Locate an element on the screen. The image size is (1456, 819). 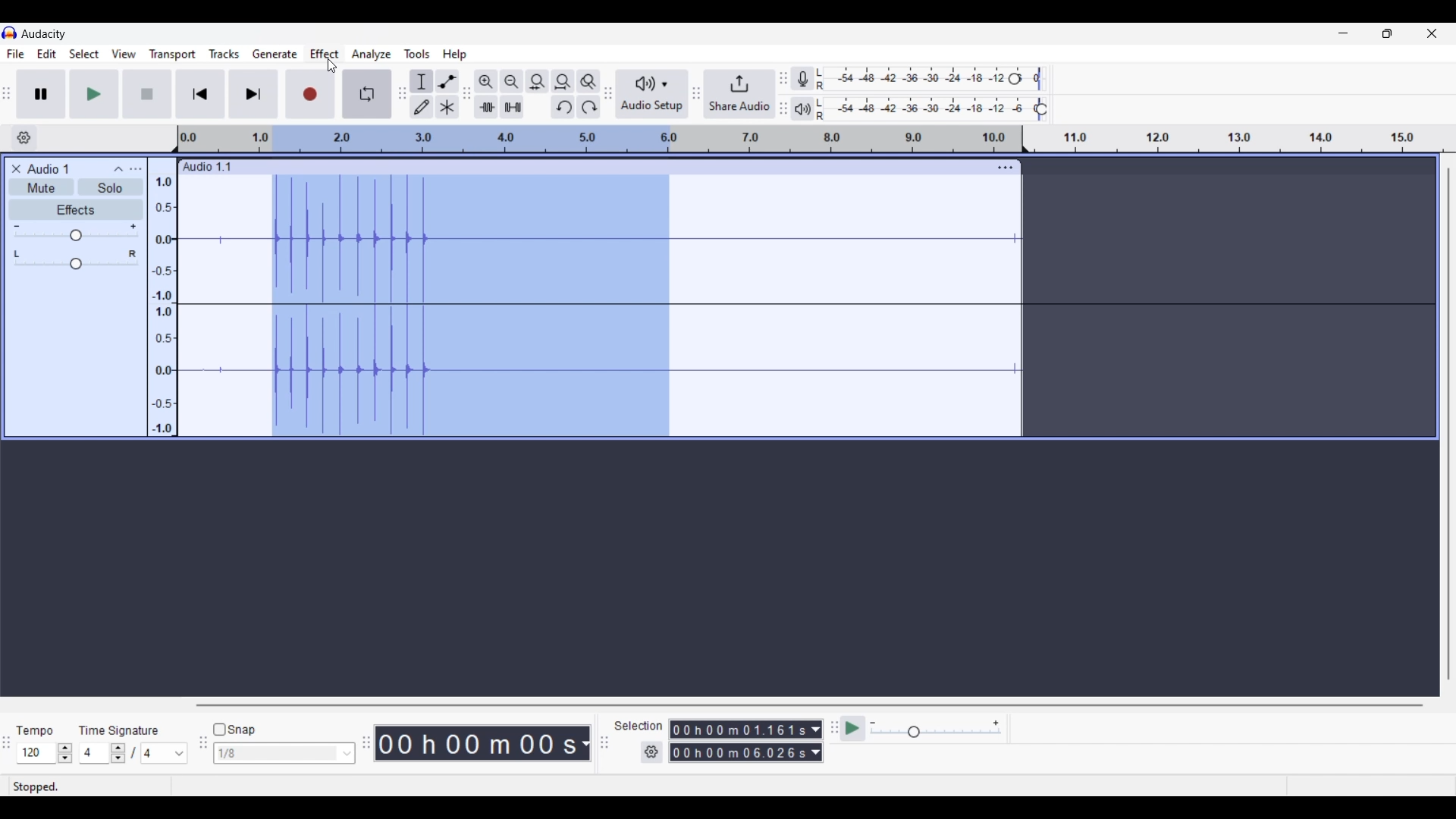
Undo is located at coordinates (562, 107).